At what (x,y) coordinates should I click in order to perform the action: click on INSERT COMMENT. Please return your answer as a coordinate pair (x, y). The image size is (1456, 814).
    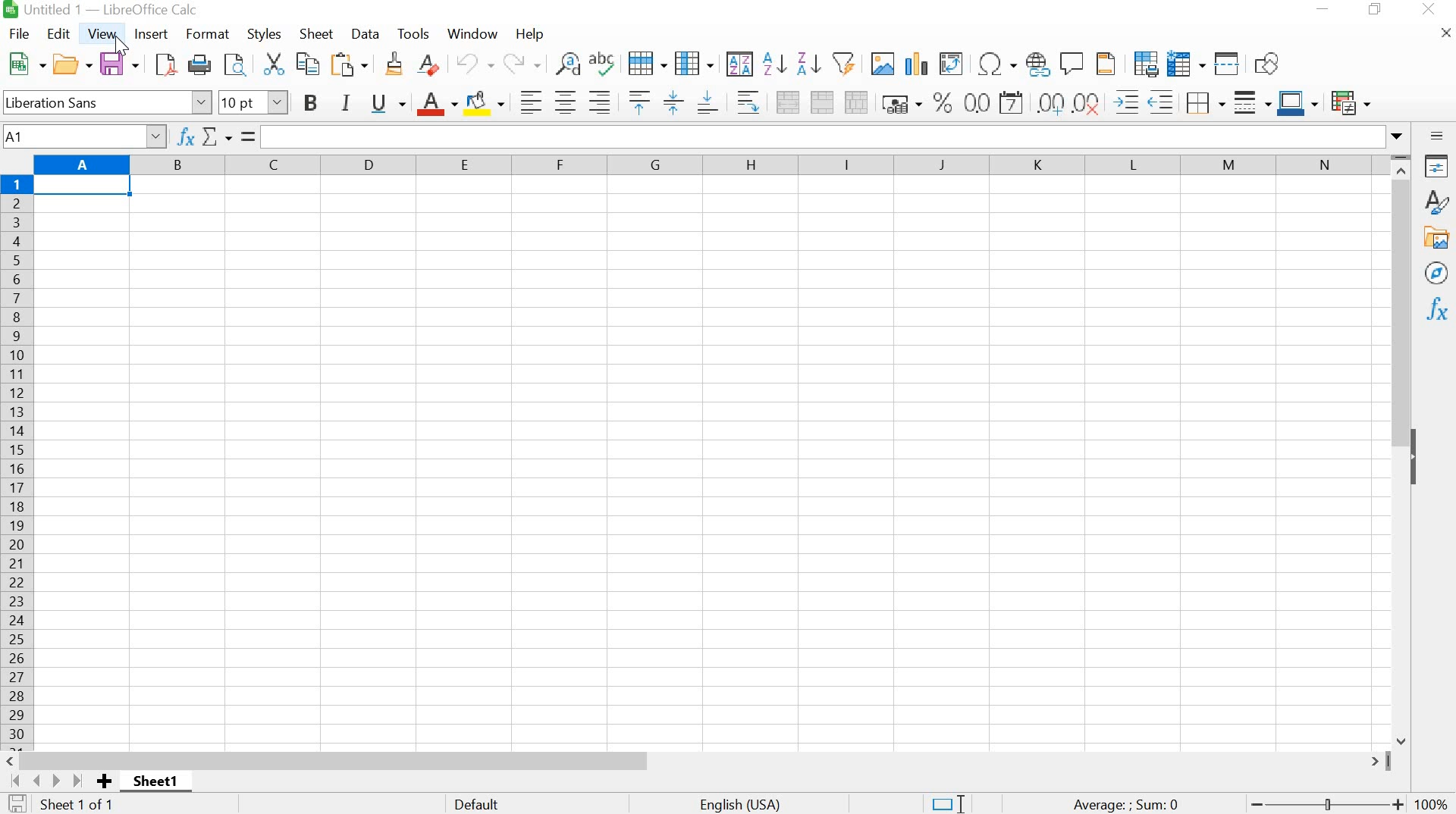
    Looking at the image, I should click on (1072, 61).